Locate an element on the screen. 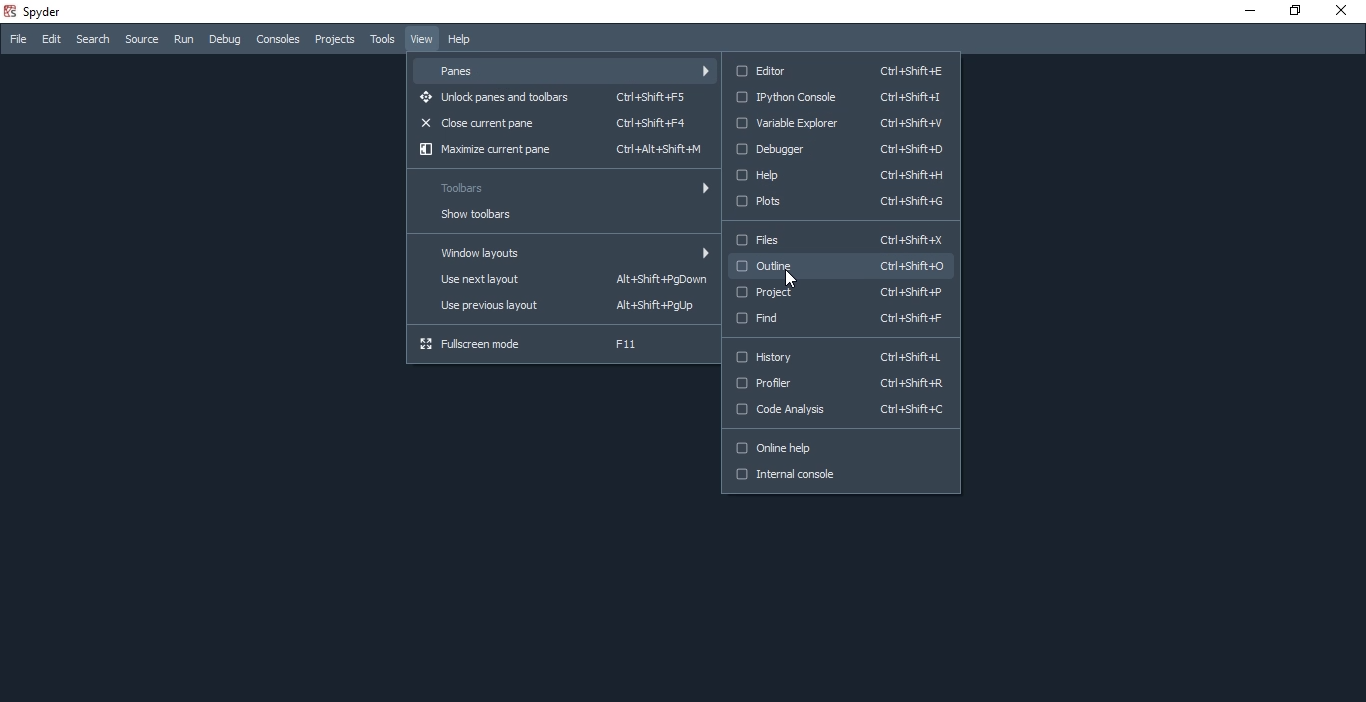 The image size is (1366, 702). Edit is located at coordinates (52, 41).